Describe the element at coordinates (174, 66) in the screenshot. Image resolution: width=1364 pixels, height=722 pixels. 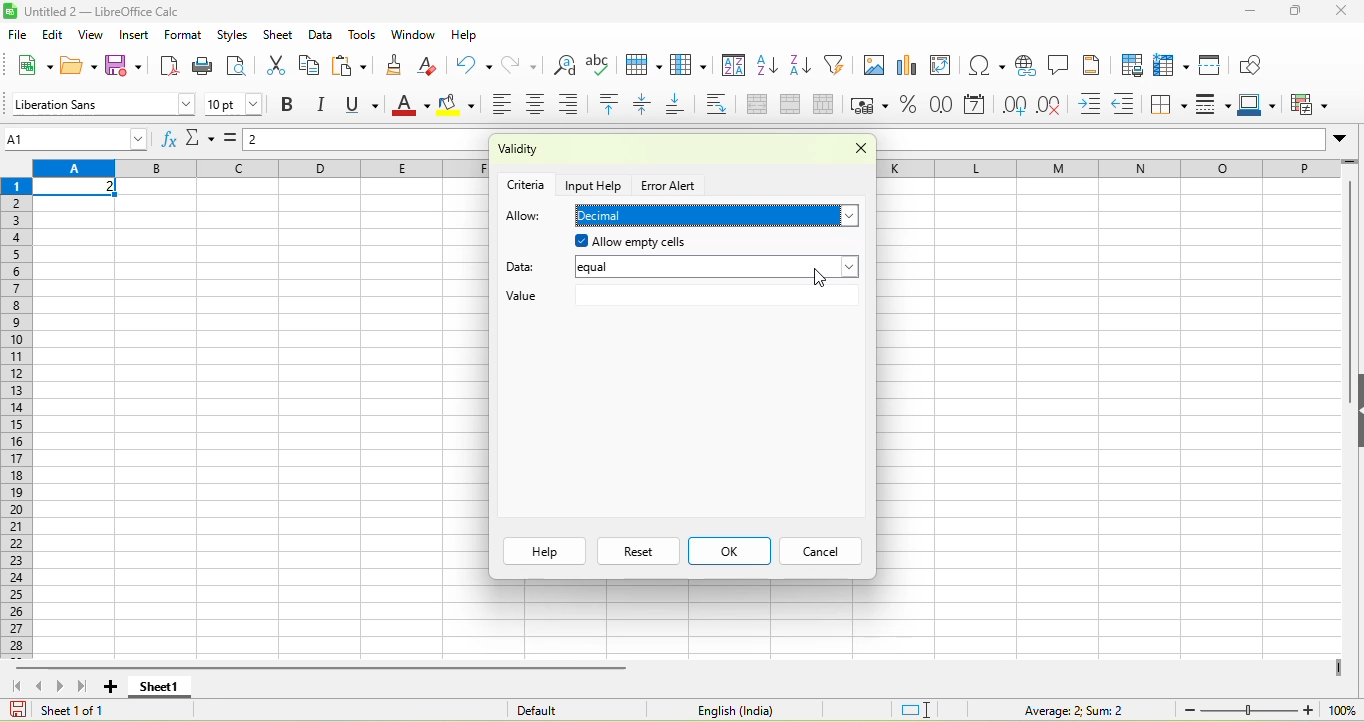
I see `export directly as pdf` at that location.